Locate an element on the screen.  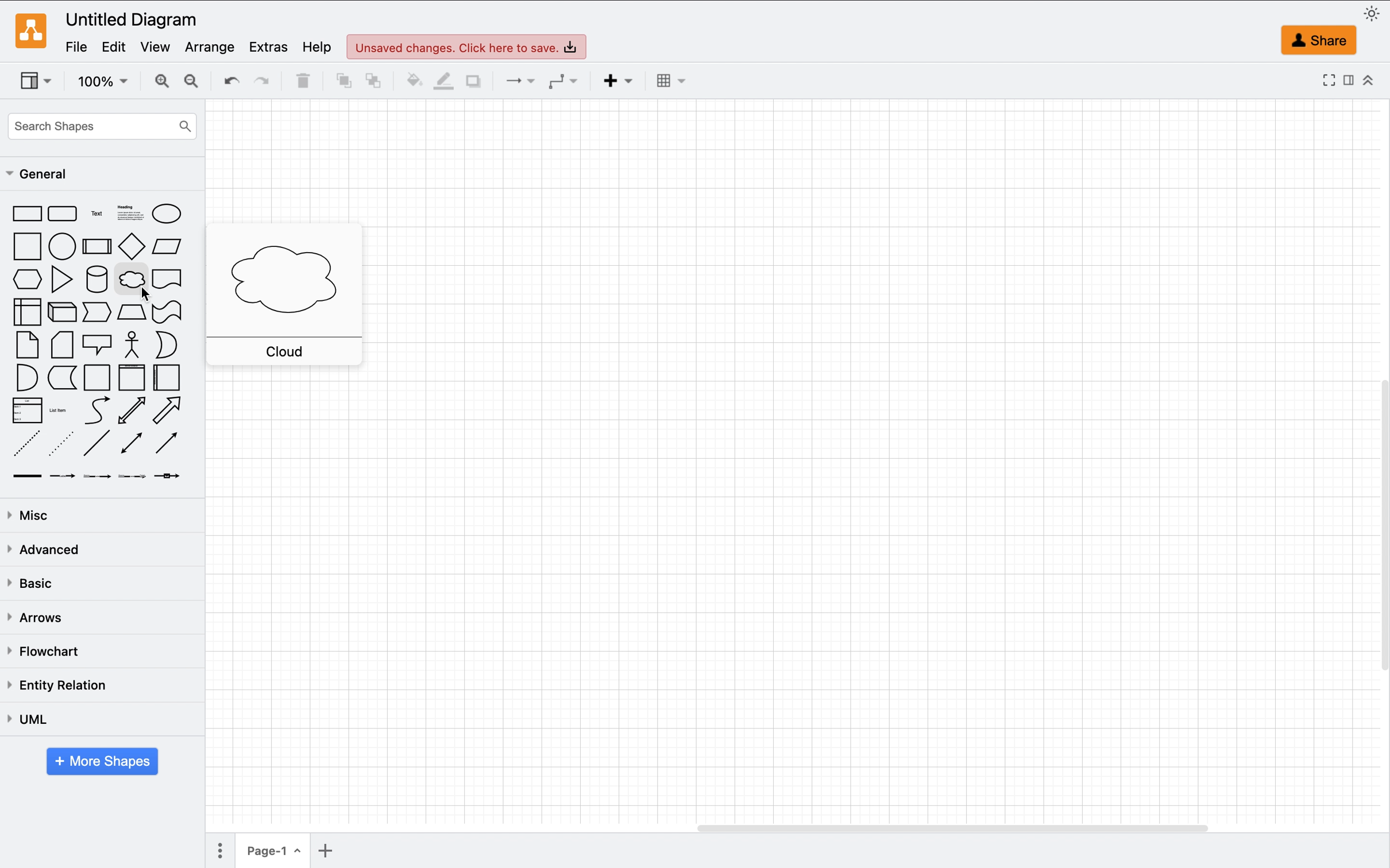
to front is located at coordinates (340, 82).